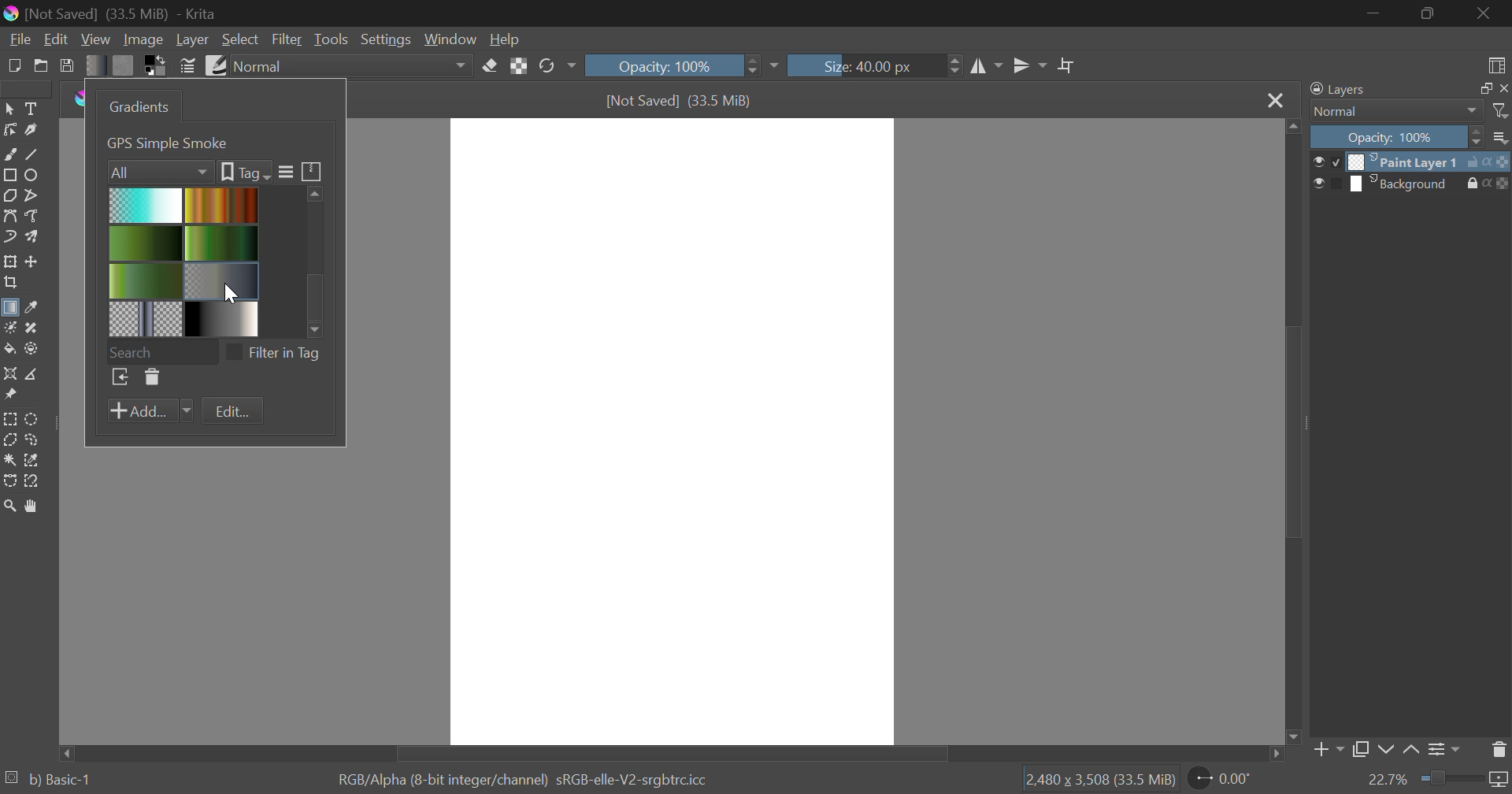 This screenshot has height=794, width=1512. What do you see at coordinates (1067, 66) in the screenshot?
I see `Crop` at bounding box center [1067, 66].